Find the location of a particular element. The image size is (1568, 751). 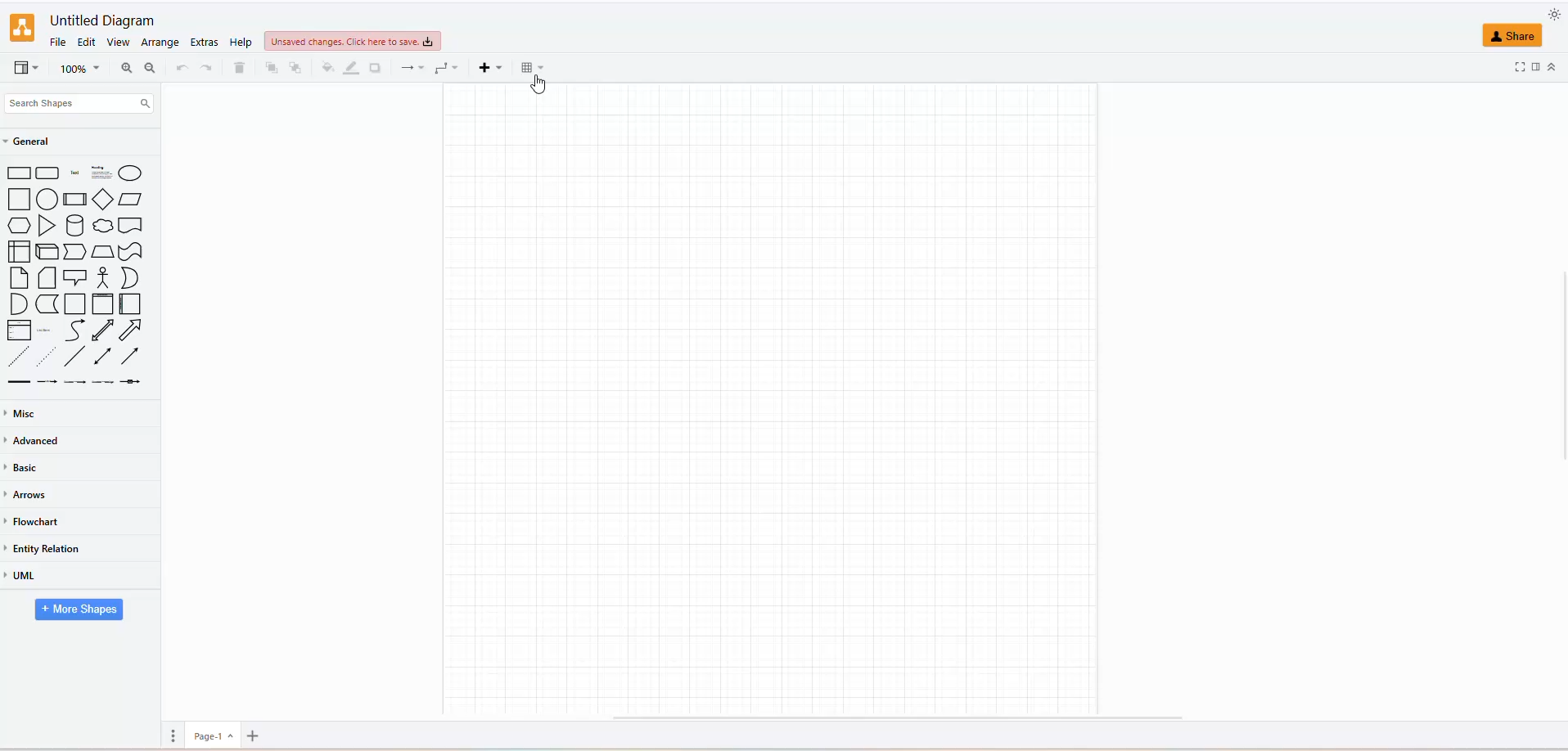

insert is located at coordinates (486, 68).